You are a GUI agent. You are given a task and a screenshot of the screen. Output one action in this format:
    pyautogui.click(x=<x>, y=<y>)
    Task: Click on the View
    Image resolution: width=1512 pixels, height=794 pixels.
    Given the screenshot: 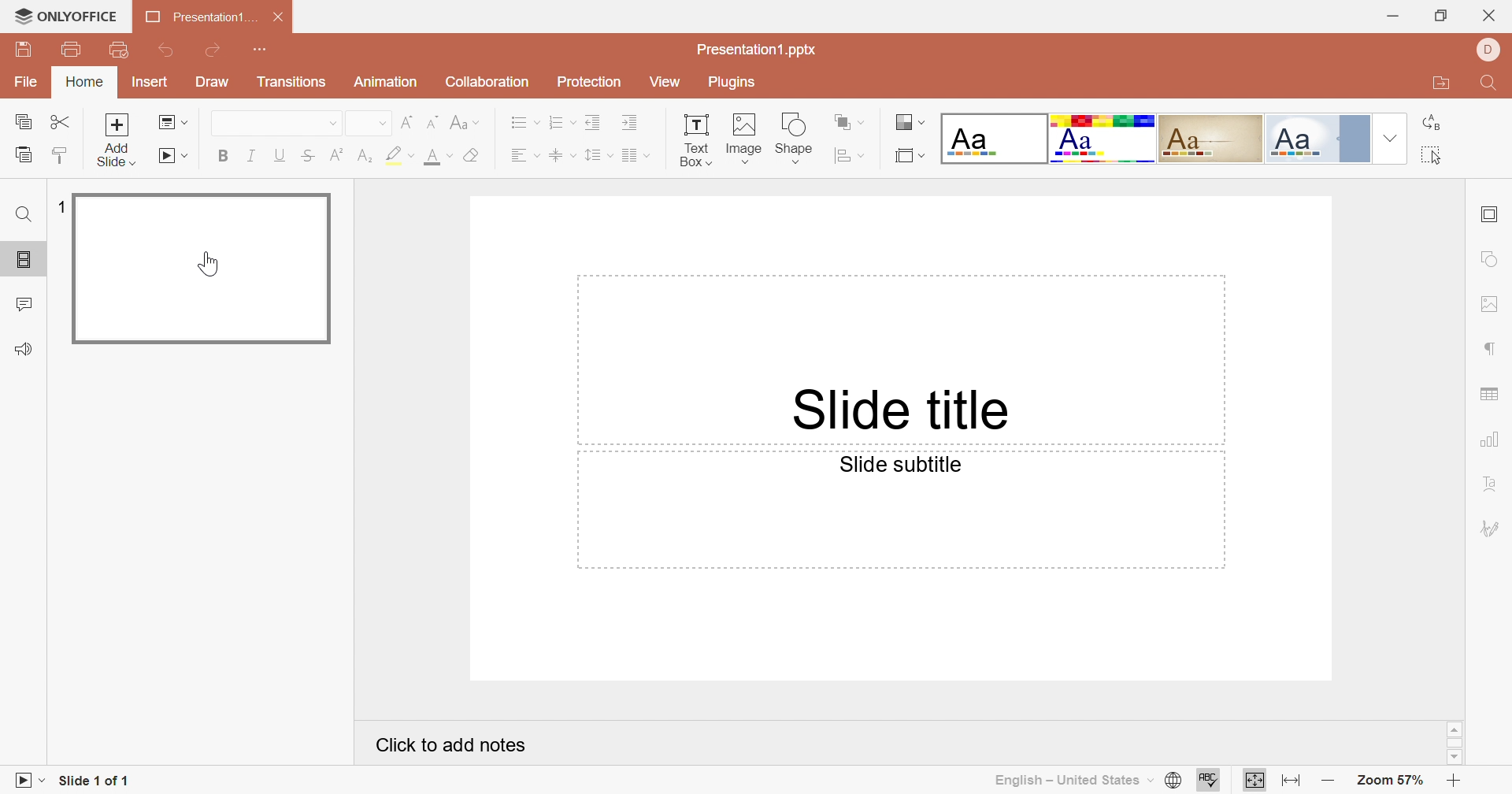 What is the action you would take?
    pyautogui.click(x=664, y=81)
    